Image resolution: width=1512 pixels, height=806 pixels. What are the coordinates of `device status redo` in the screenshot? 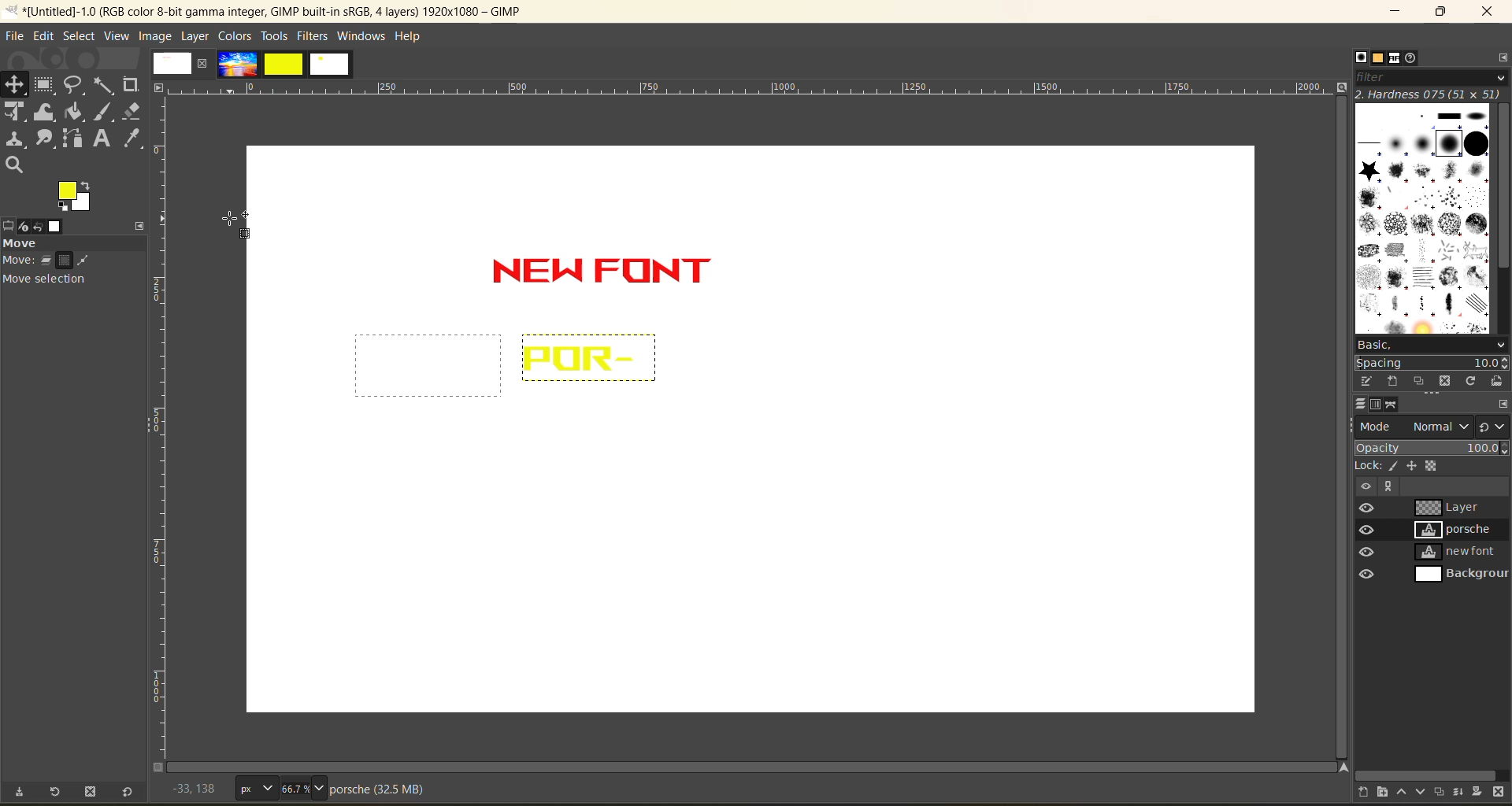 It's located at (31, 227).